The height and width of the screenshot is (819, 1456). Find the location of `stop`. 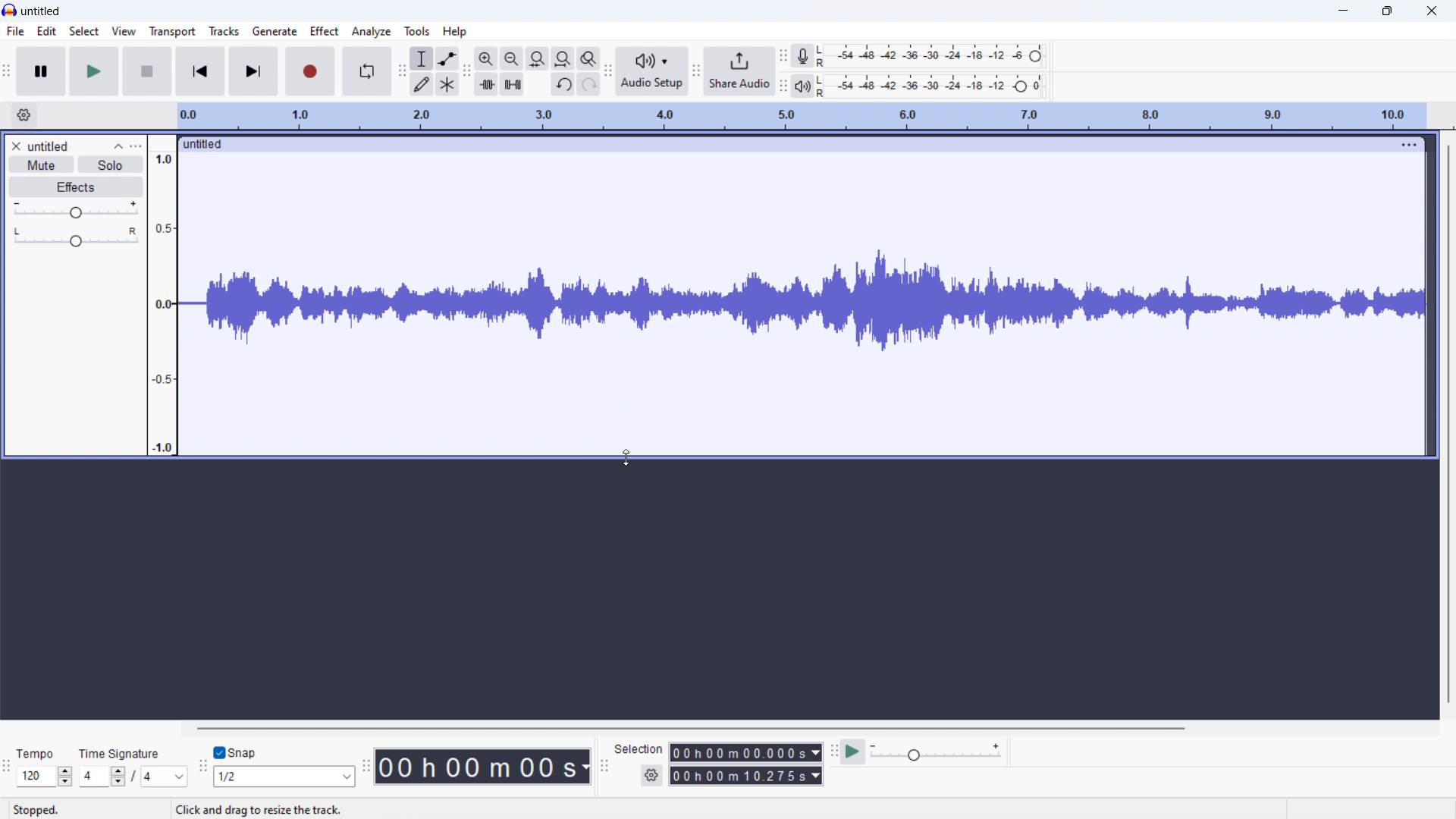

stop is located at coordinates (148, 71).